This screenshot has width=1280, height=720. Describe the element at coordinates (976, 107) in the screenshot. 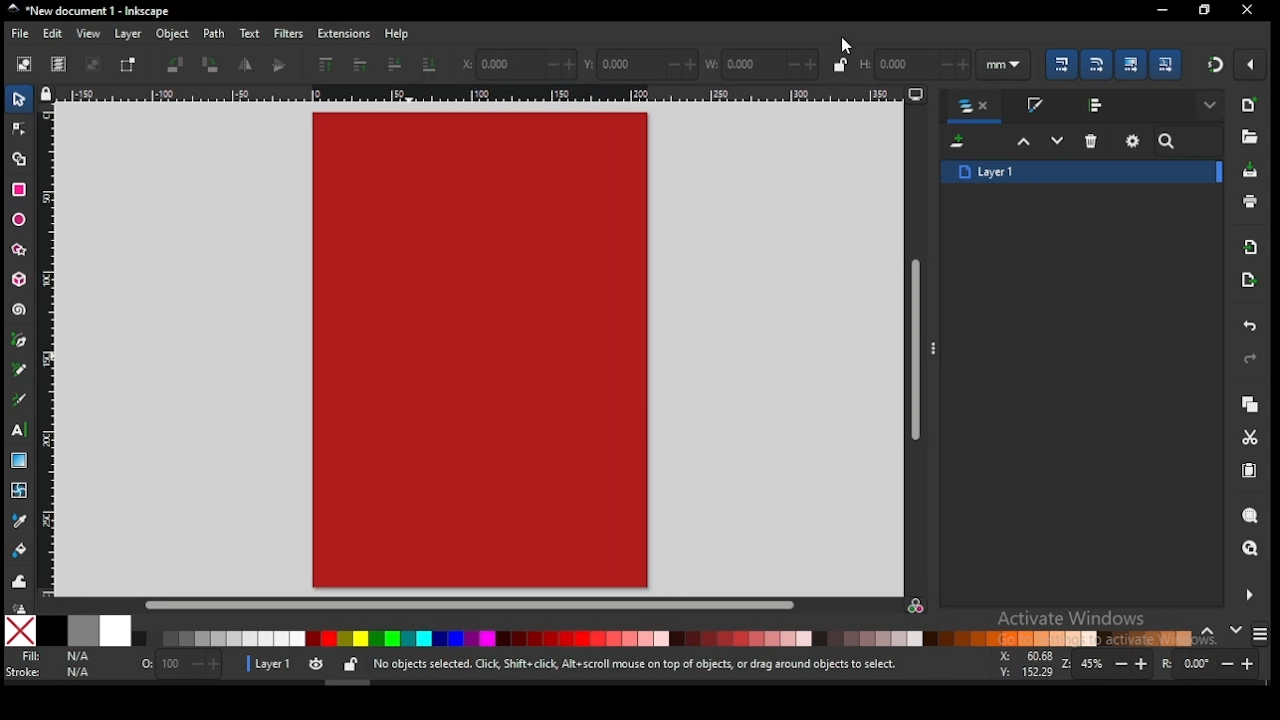

I see `layers and objects` at that location.